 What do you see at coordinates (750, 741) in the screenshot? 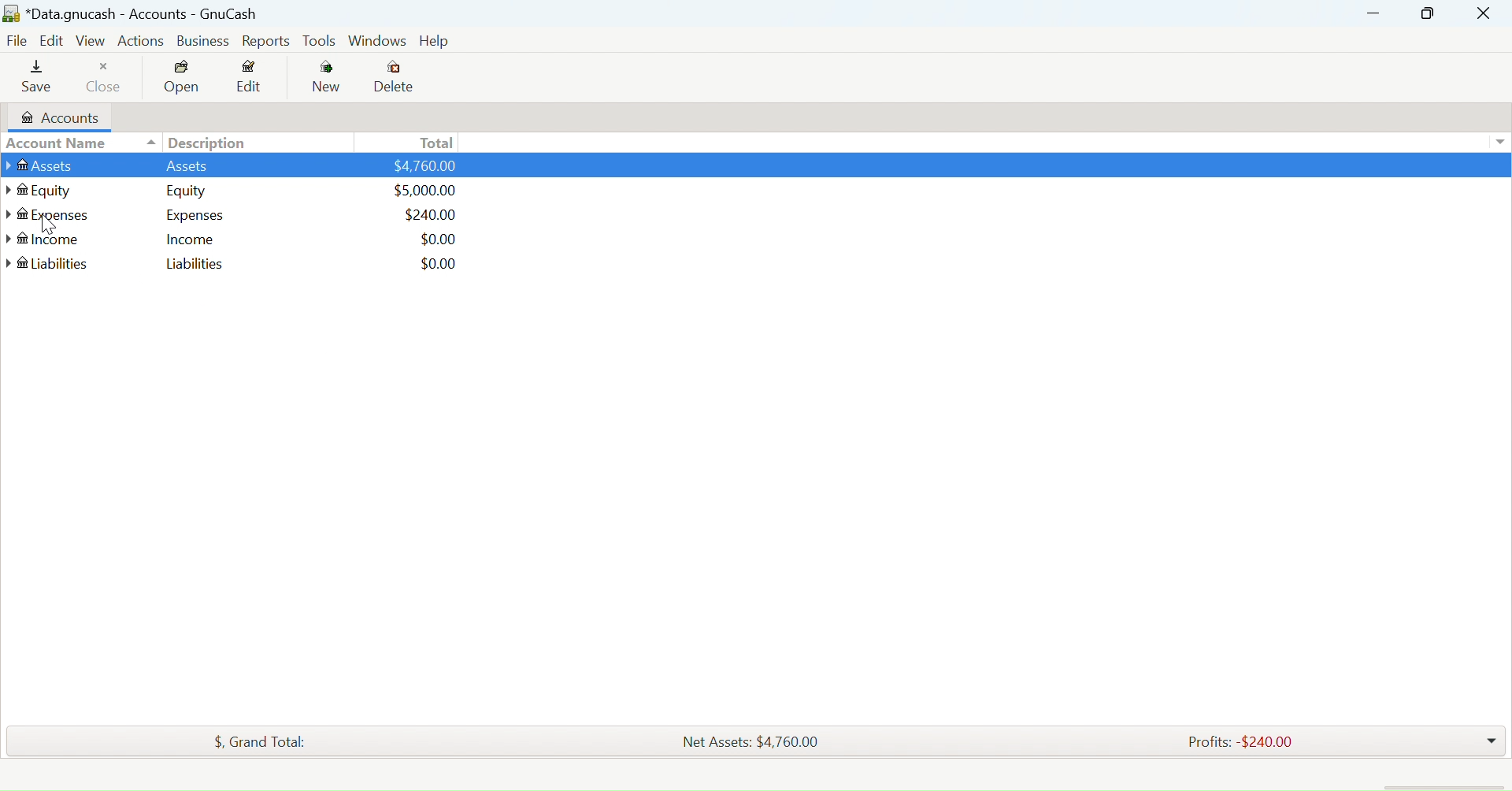
I see `Net Assets: $4,760.00` at bounding box center [750, 741].